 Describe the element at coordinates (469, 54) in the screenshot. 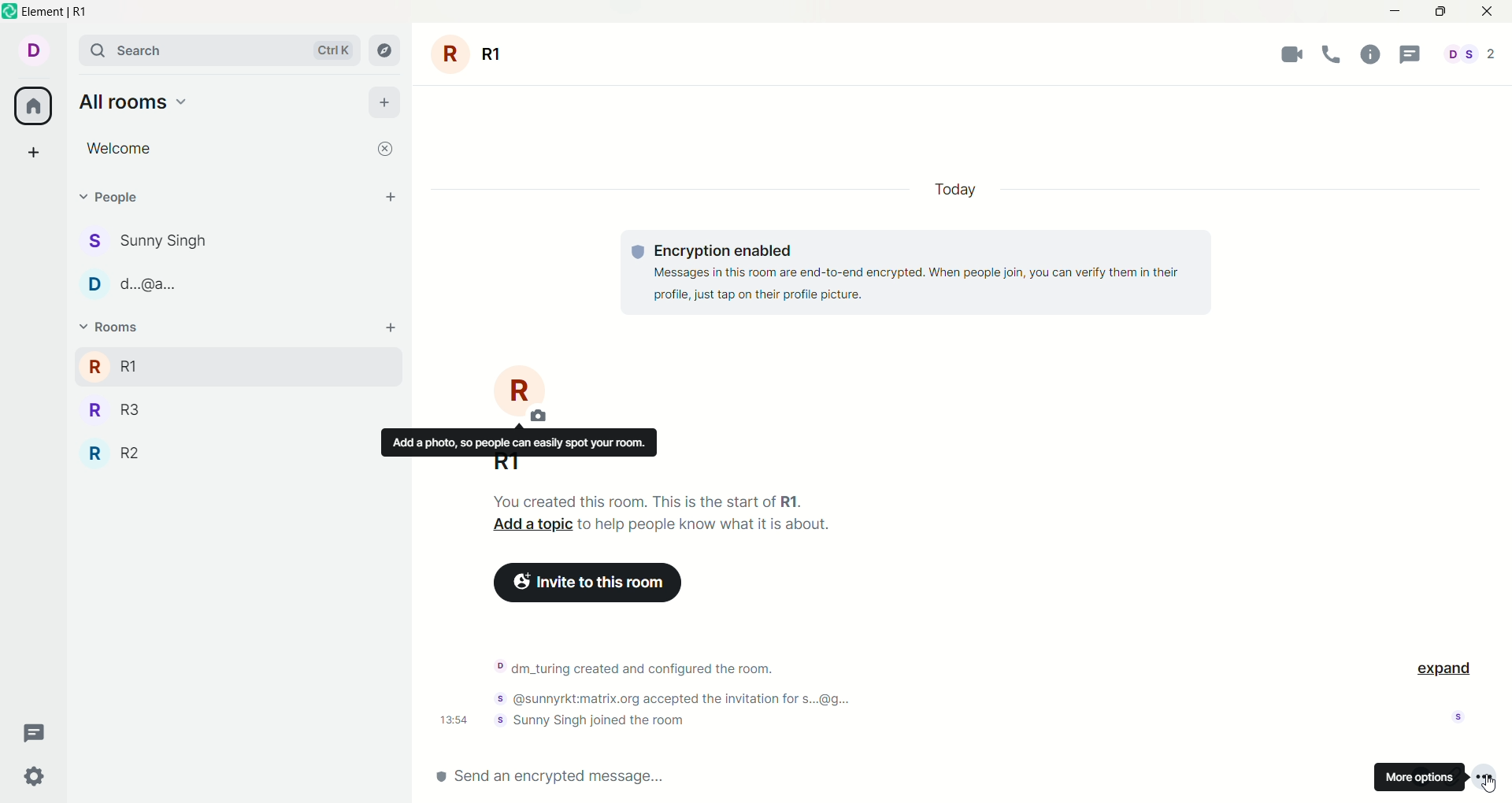

I see `room` at that location.